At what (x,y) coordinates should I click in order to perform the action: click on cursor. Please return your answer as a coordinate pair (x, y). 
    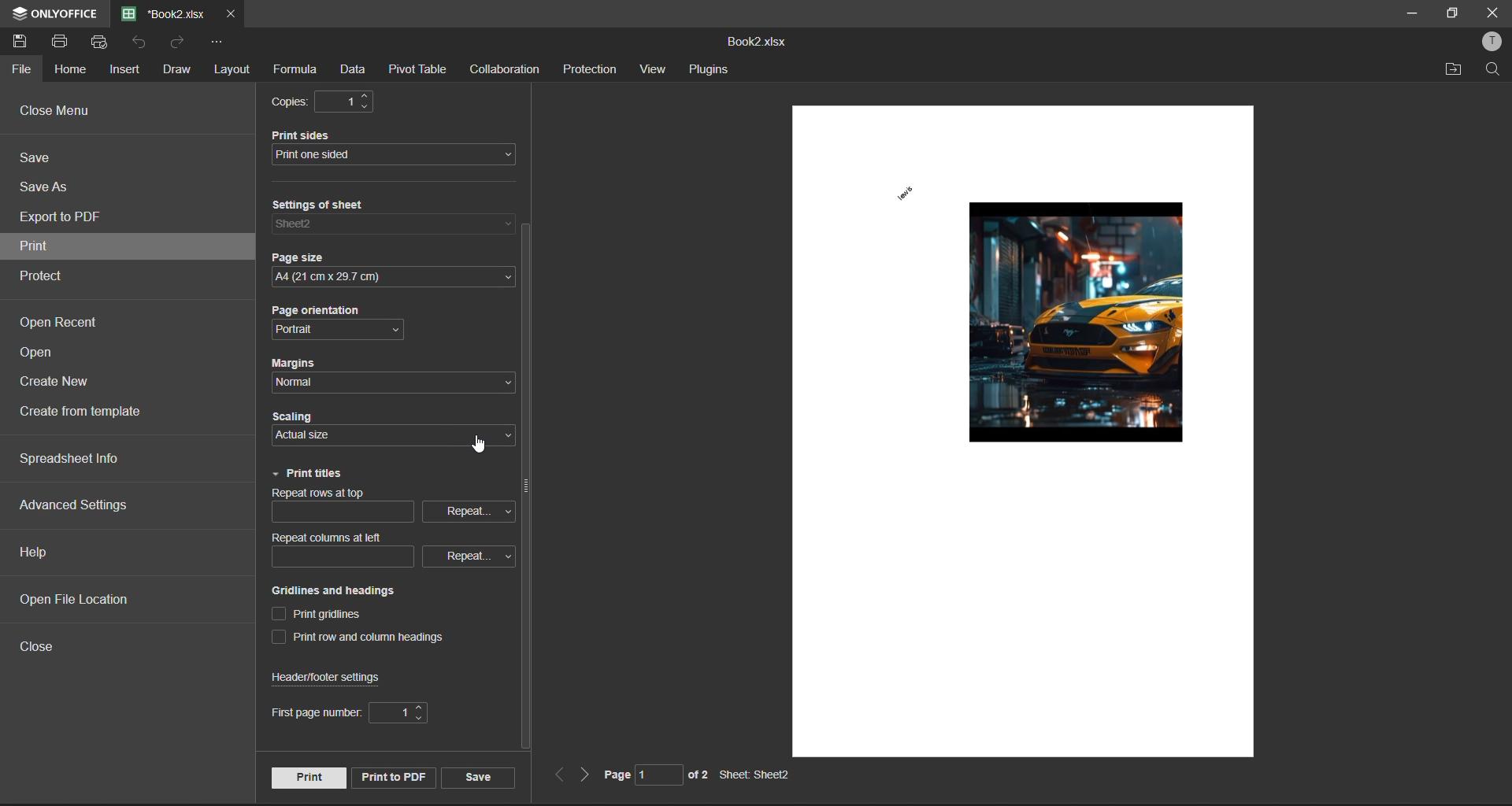
    Looking at the image, I should click on (480, 447).